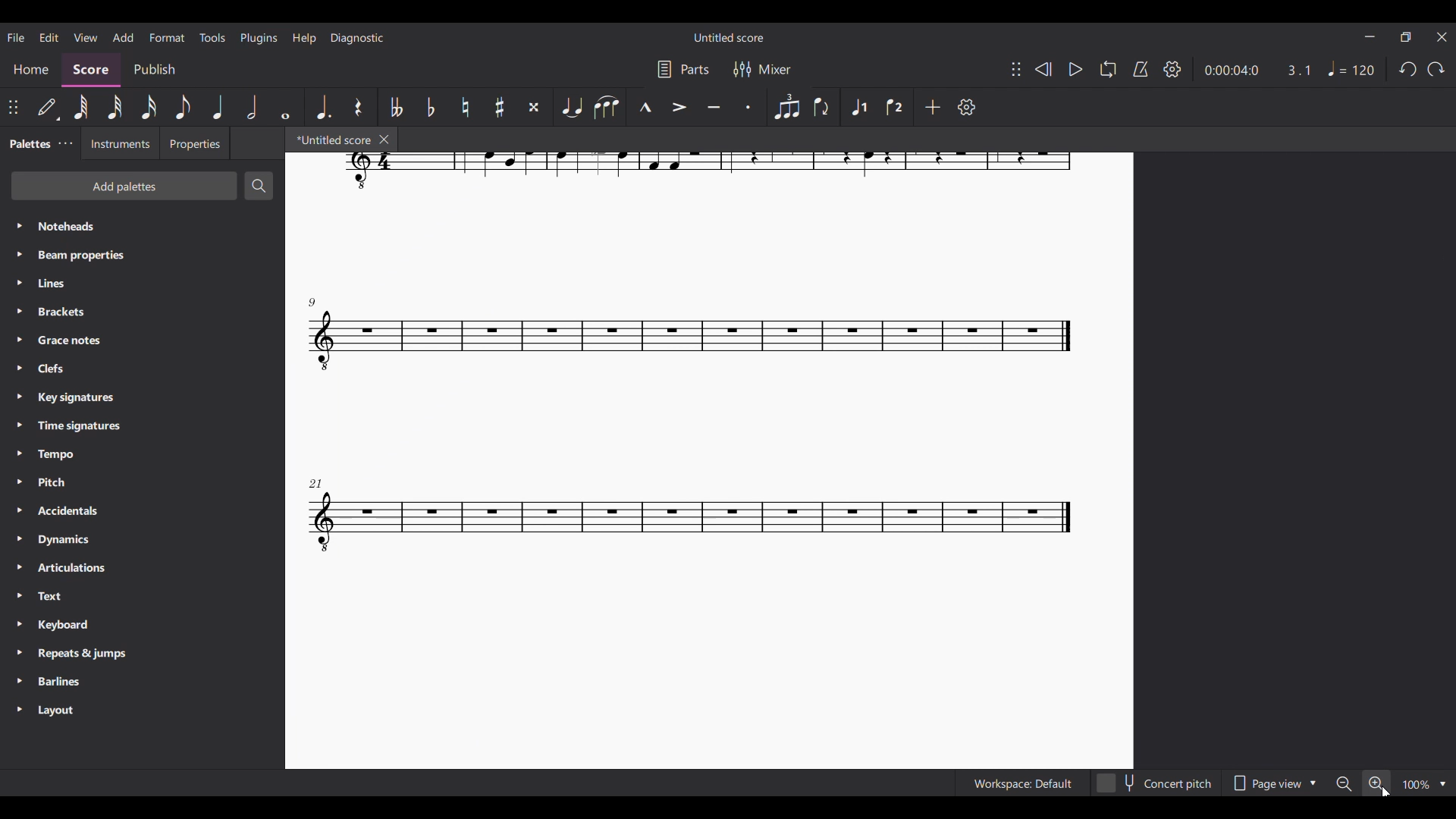 This screenshot has width=1456, height=819. I want to click on Zoom in, highlighted by cursor, so click(1376, 783).